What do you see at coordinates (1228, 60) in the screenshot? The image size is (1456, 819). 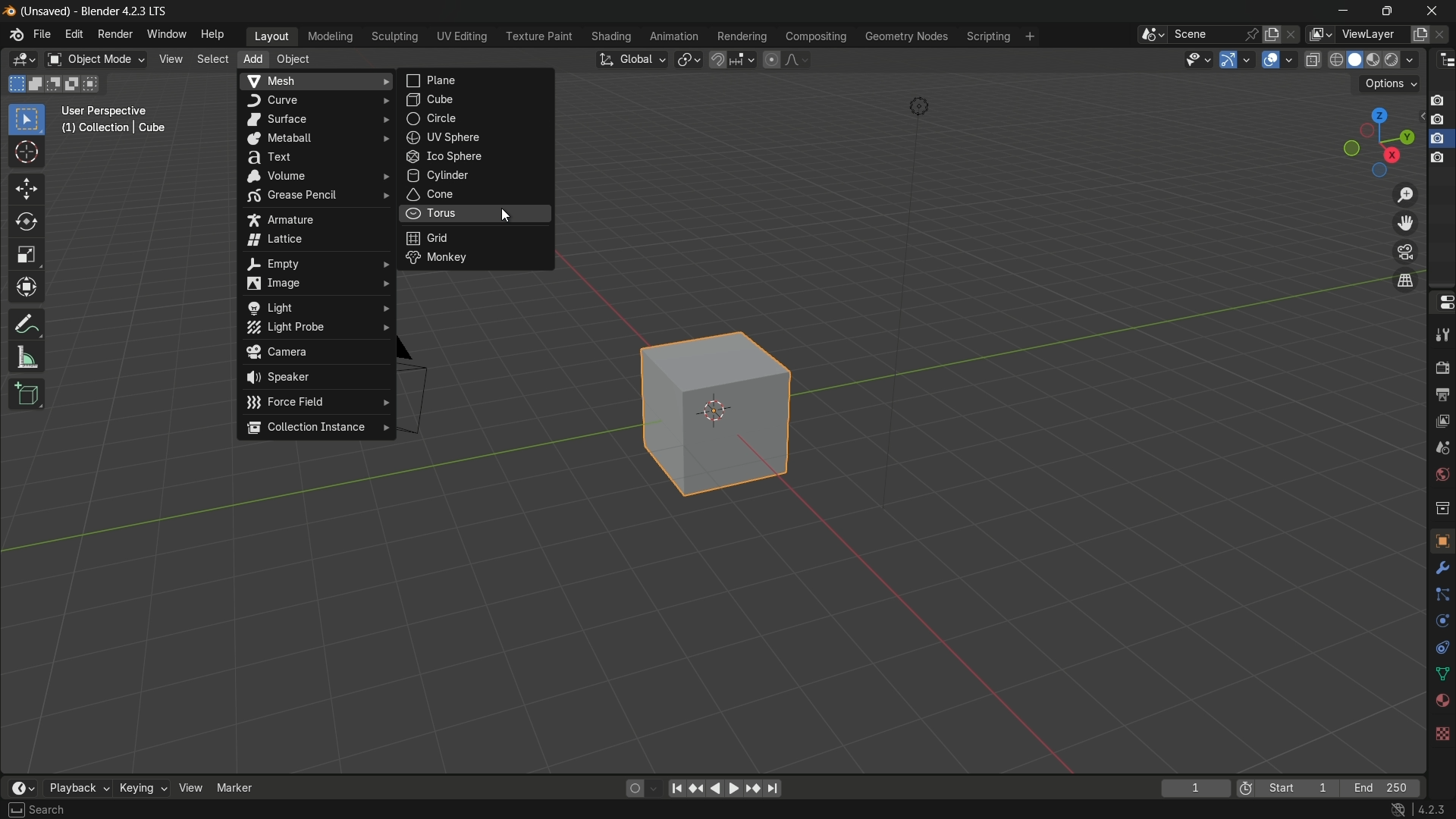 I see `show gizmo` at bounding box center [1228, 60].